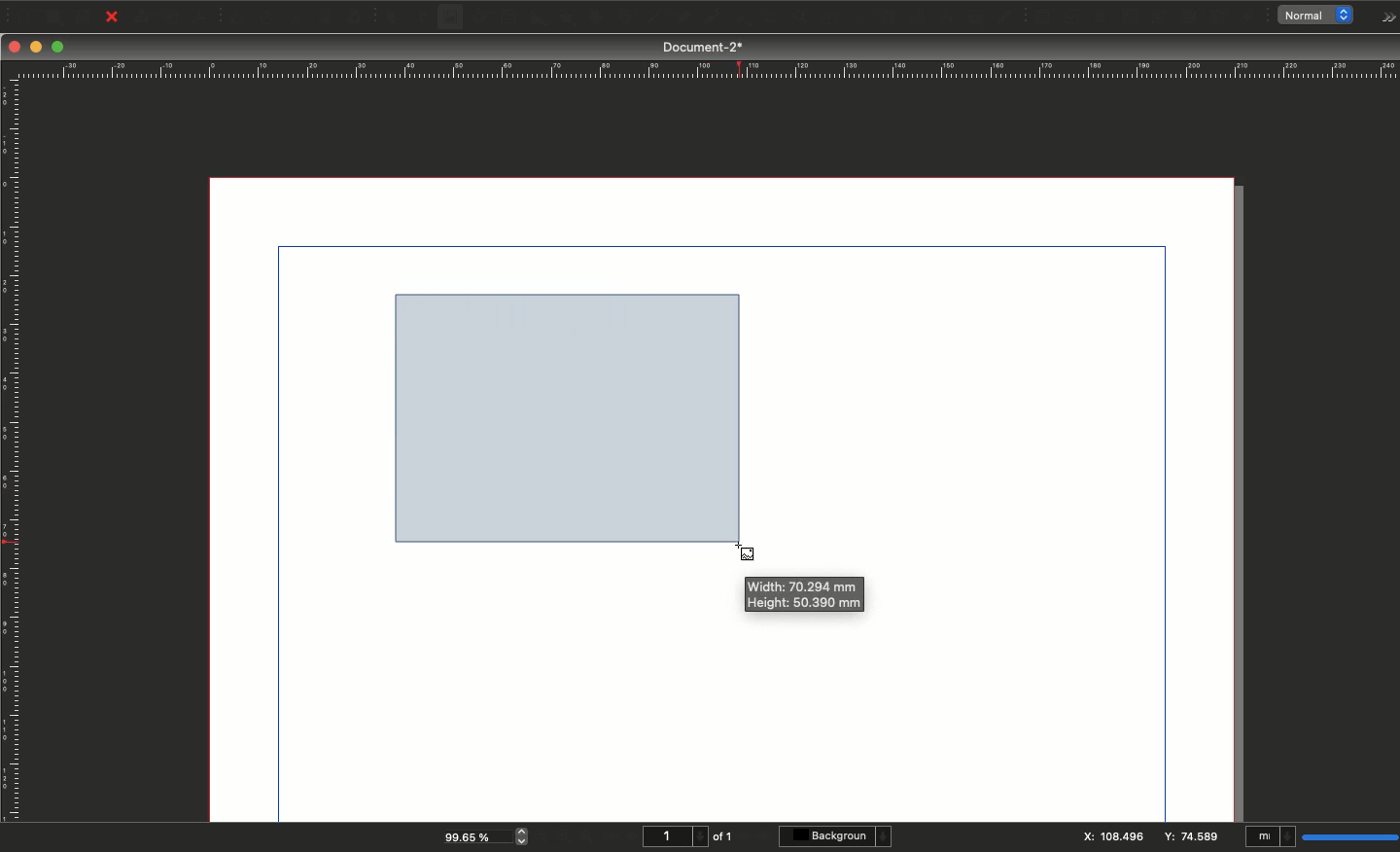 The image size is (1400, 852). What do you see at coordinates (808, 594) in the screenshot?
I see `Width: 70.294 mm height: 50.390 mm` at bounding box center [808, 594].